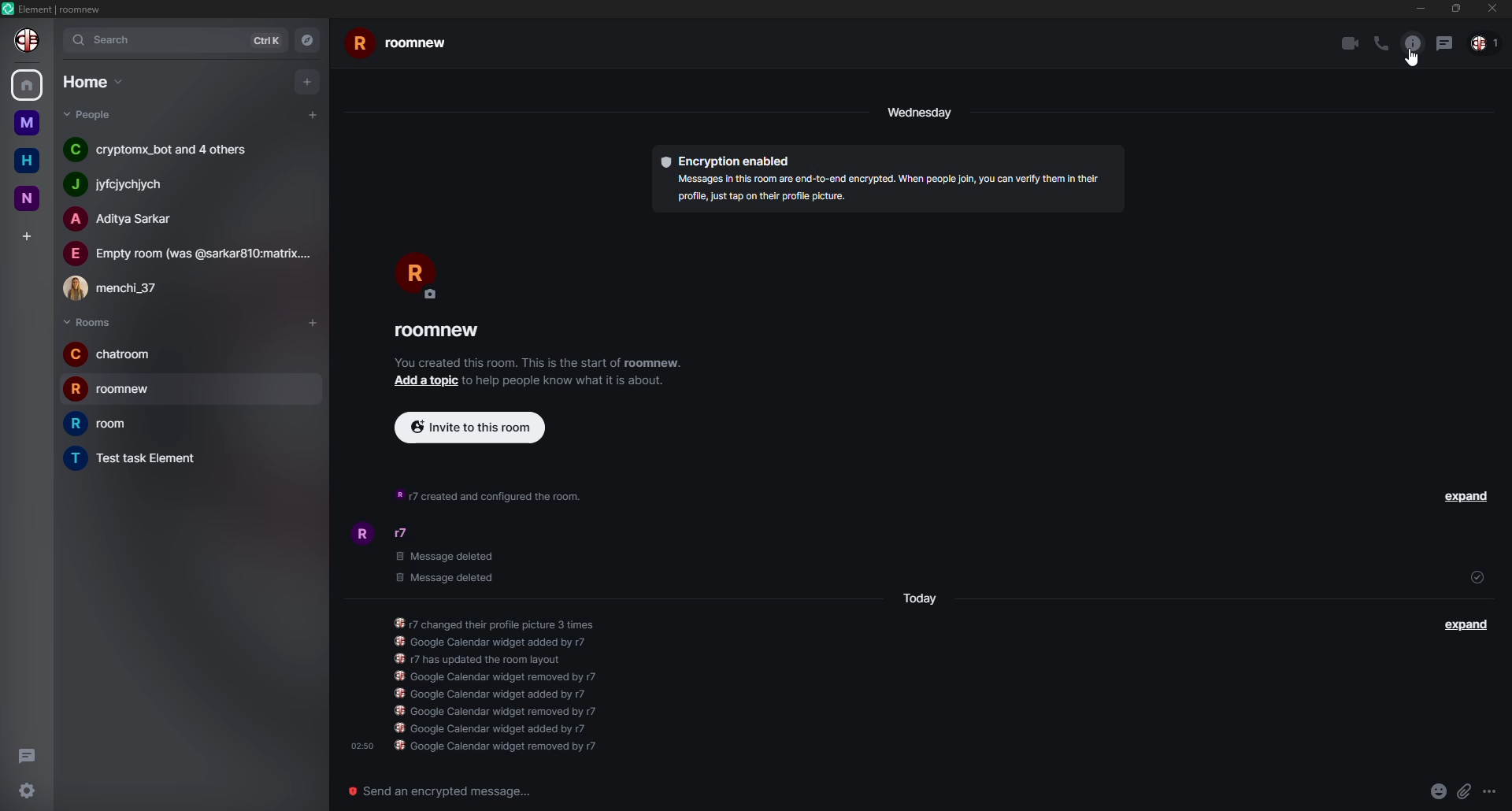 The width and height of the screenshot is (1512, 811). Describe the element at coordinates (1495, 8) in the screenshot. I see `close` at that location.